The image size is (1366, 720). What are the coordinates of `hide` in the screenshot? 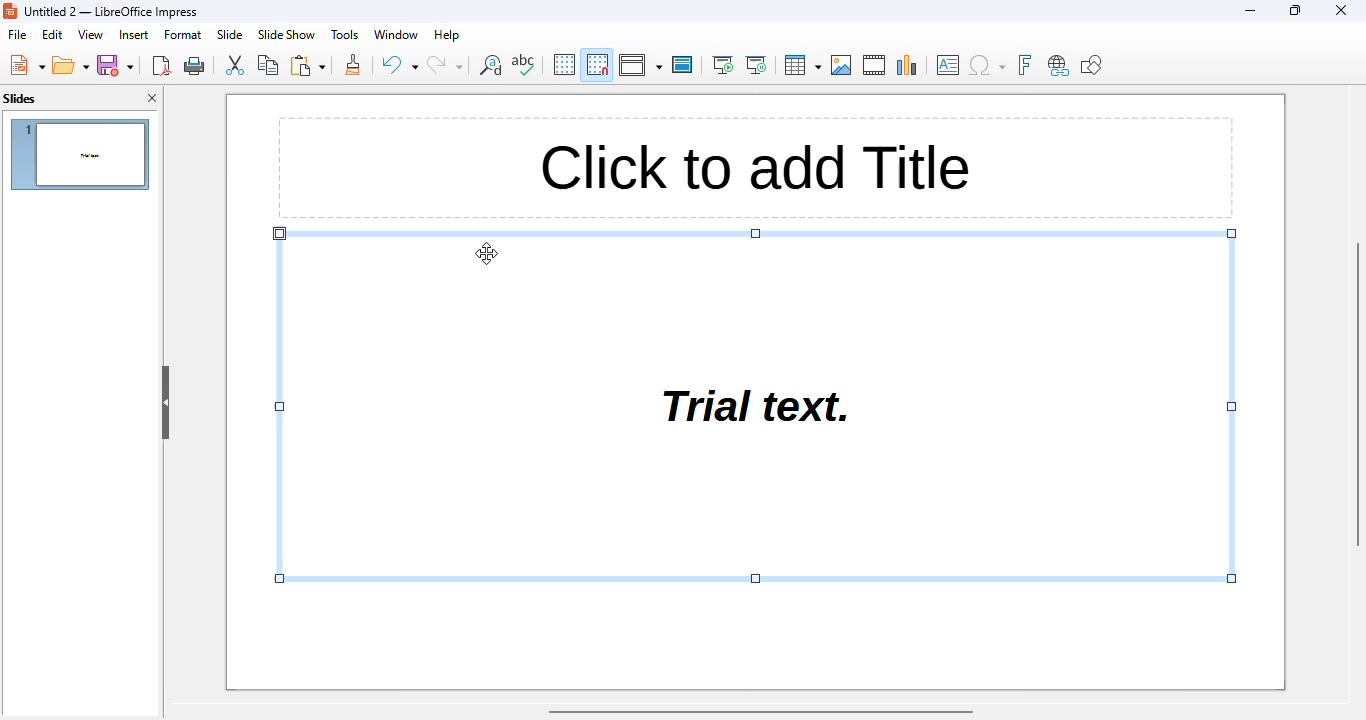 It's located at (166, 403).